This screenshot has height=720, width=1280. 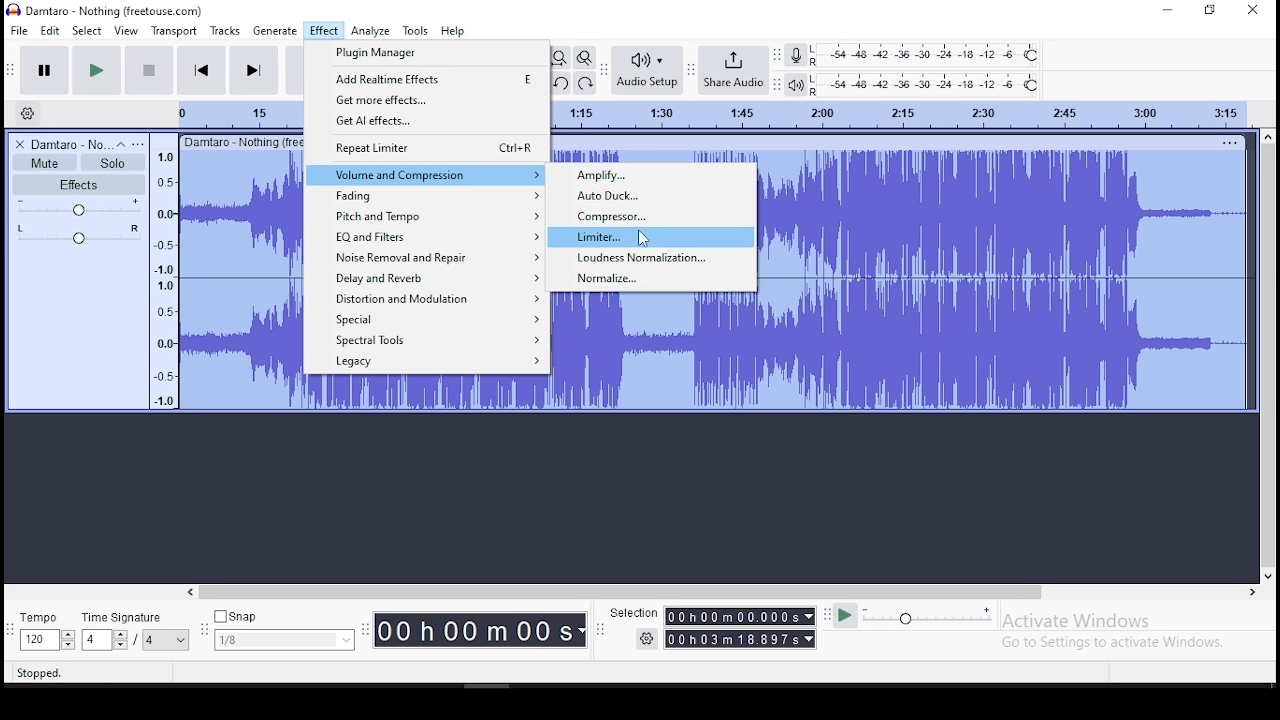 I want to click on collapse, so click(x=121, y=143).